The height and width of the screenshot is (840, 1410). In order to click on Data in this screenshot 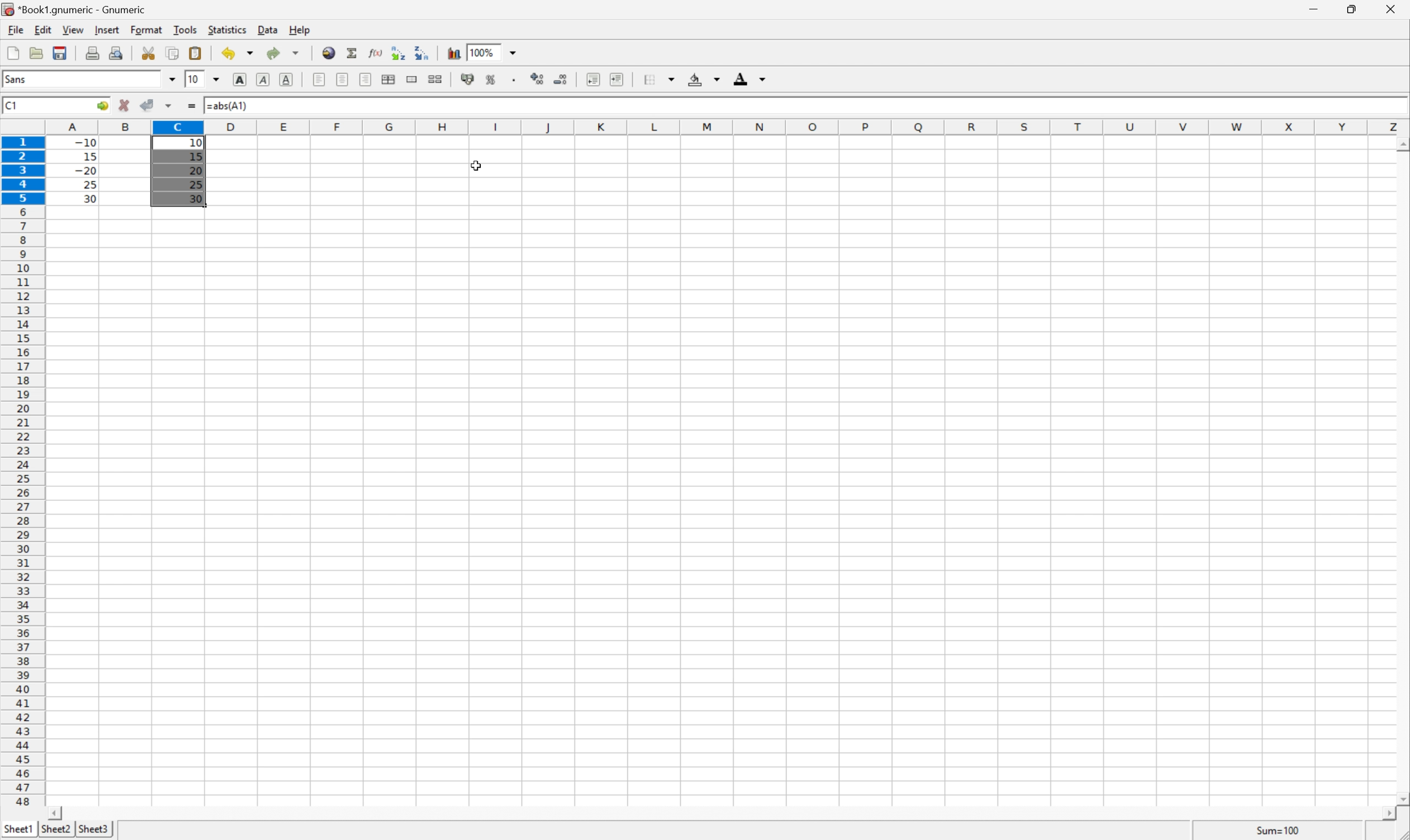, I will do `click(271, 31)`.